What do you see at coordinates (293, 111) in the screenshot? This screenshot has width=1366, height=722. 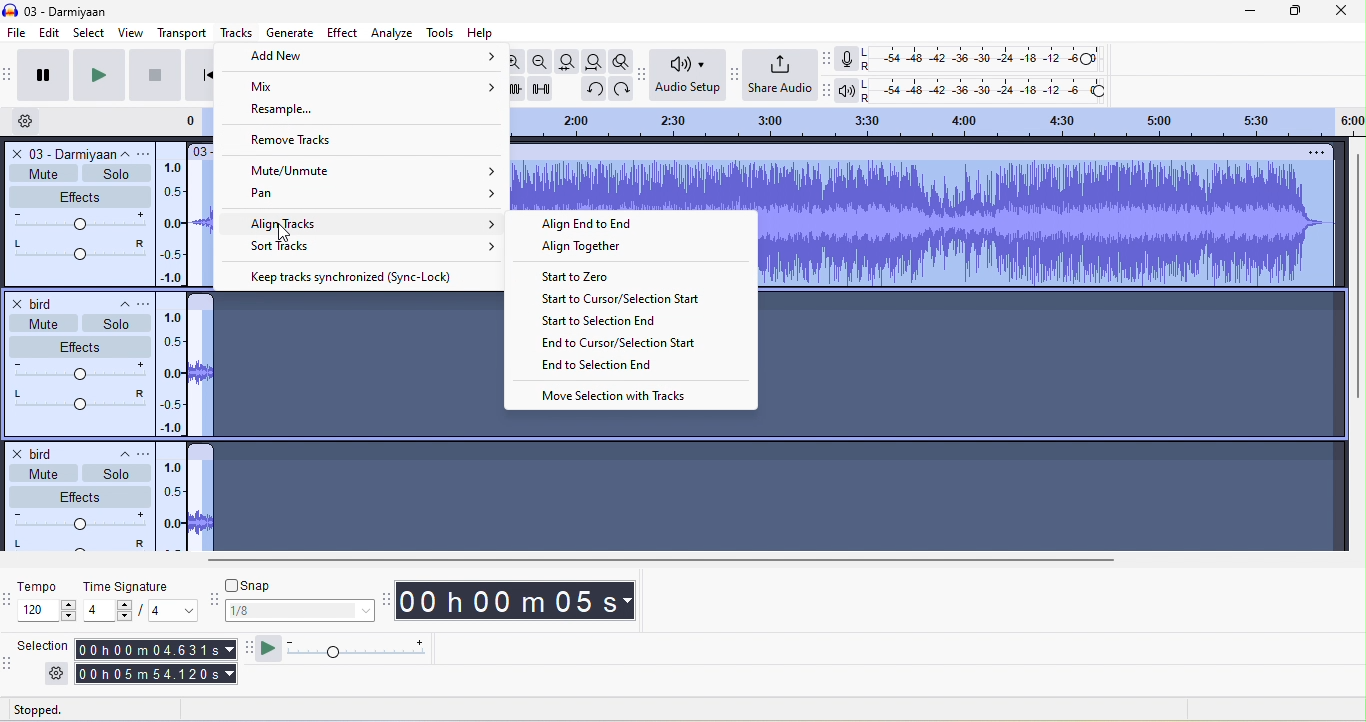 I see `resample` at bounding box center [293, 111].